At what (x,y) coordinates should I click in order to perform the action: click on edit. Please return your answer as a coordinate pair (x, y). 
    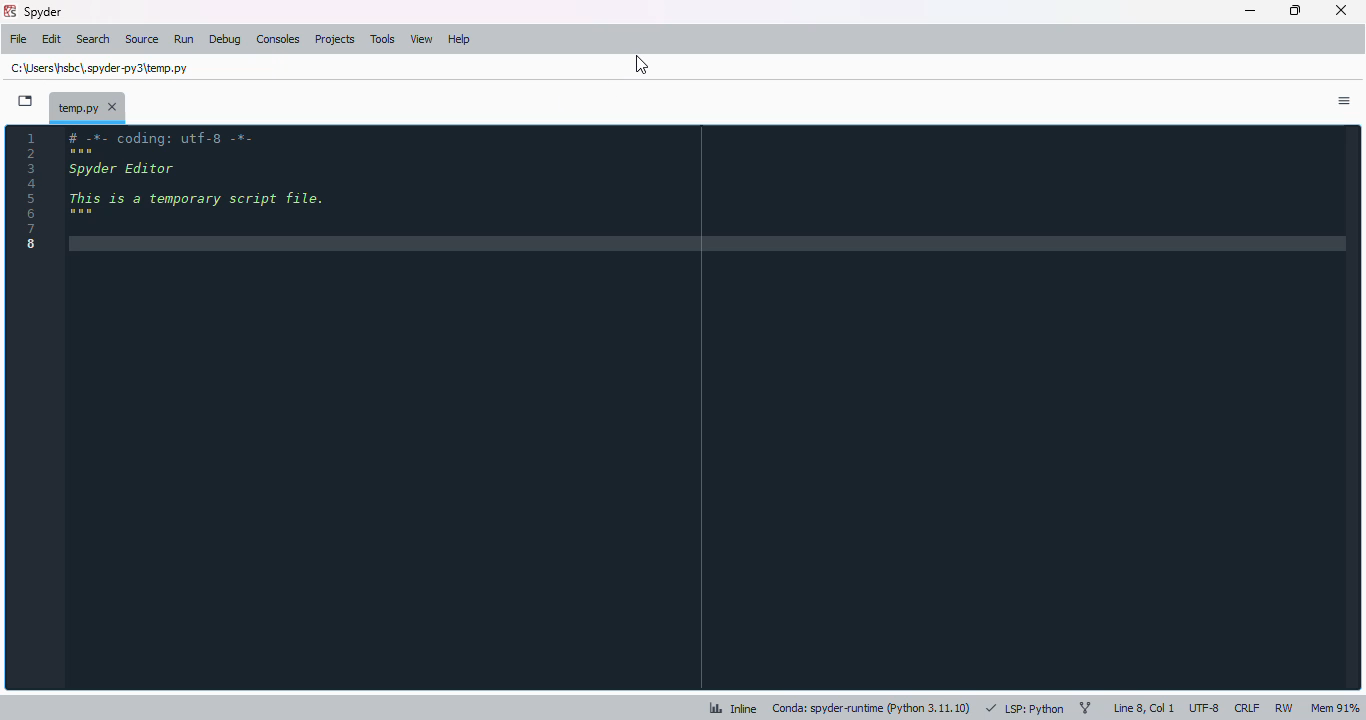
    Looking at the image, I should click on (52, 40).